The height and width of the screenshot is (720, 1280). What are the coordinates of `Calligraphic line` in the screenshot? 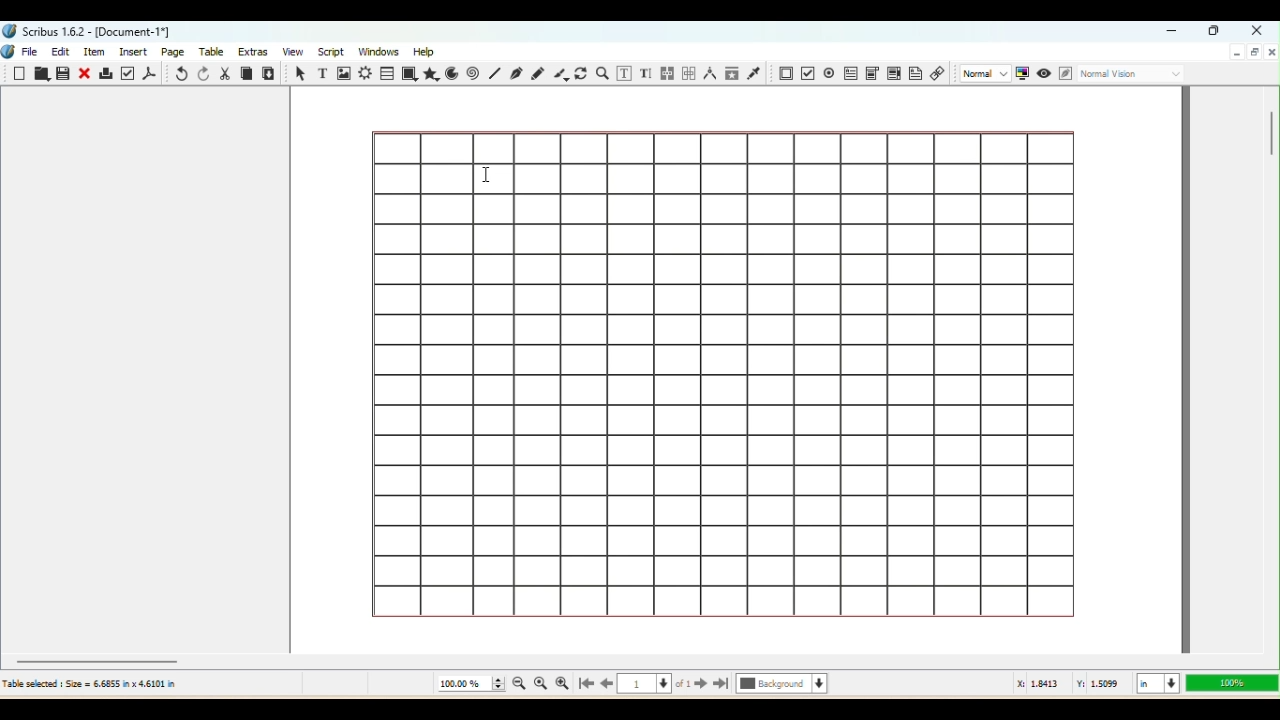 It's located at (559, 74).